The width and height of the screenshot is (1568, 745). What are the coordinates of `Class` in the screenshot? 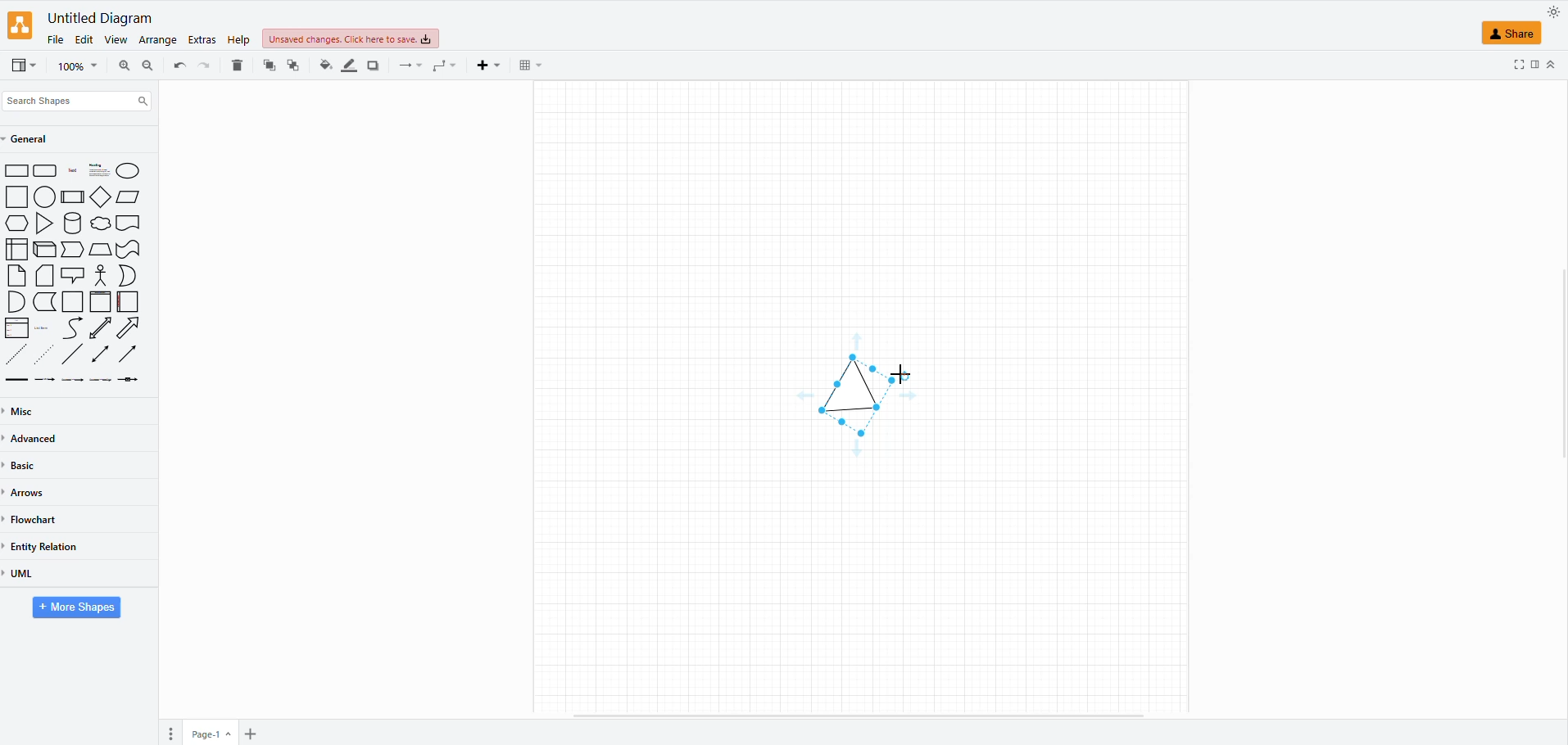 It's located at (17, 328).